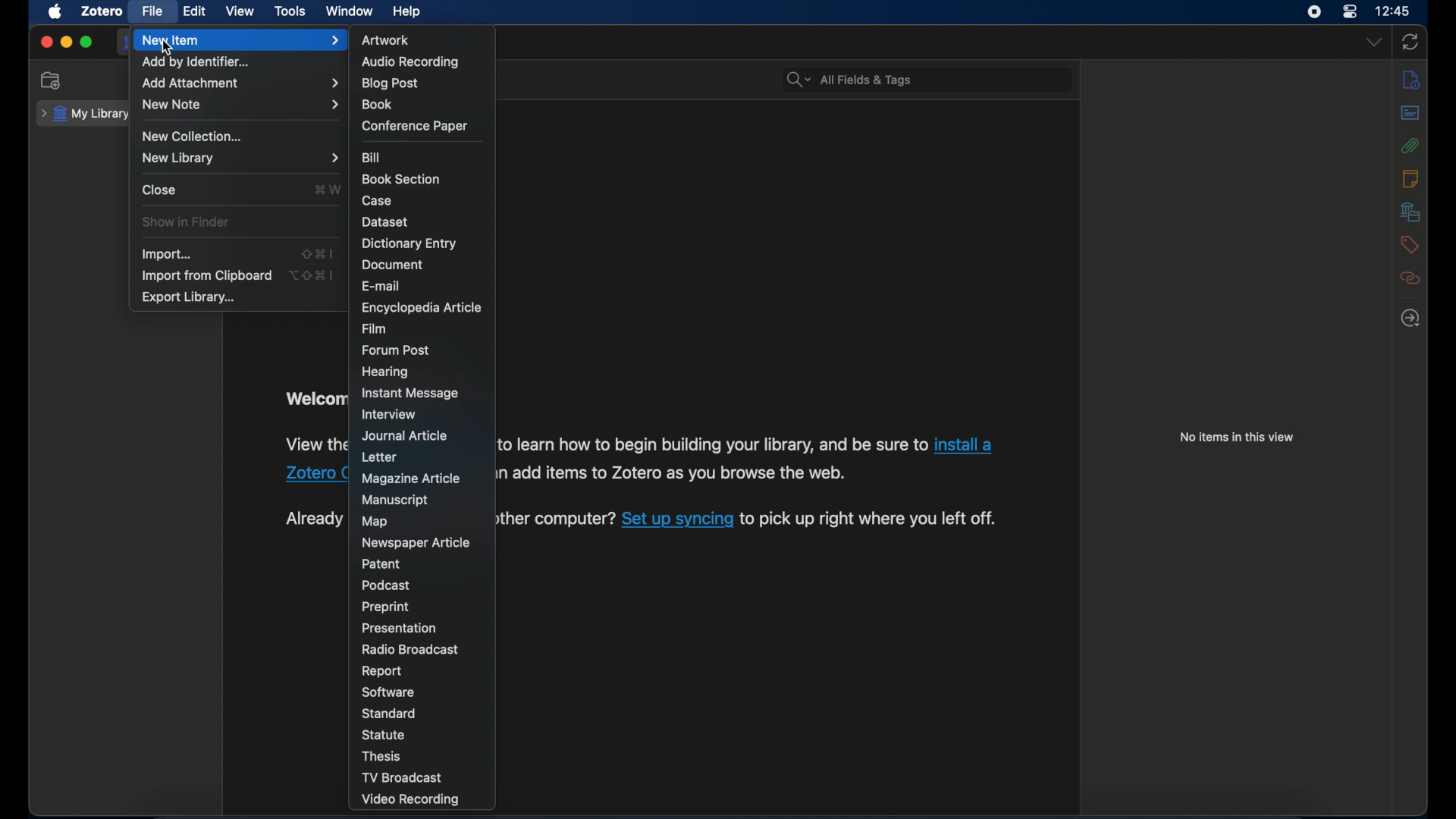 The image size is (1456, 819). What do you see at coordinates (394, 500) in the screenshot?
I see `manuscript` at bounding box center [394, 500].